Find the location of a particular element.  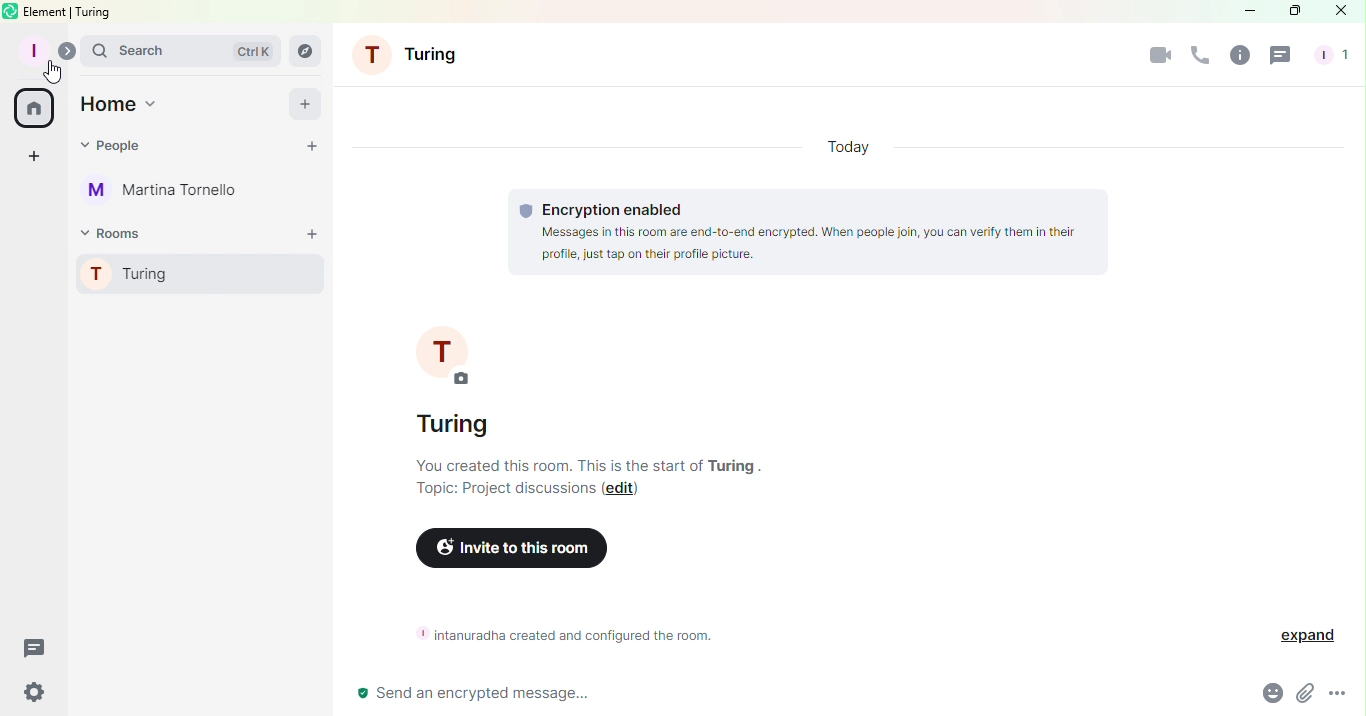

Room information is located at coordinates (559, 635).